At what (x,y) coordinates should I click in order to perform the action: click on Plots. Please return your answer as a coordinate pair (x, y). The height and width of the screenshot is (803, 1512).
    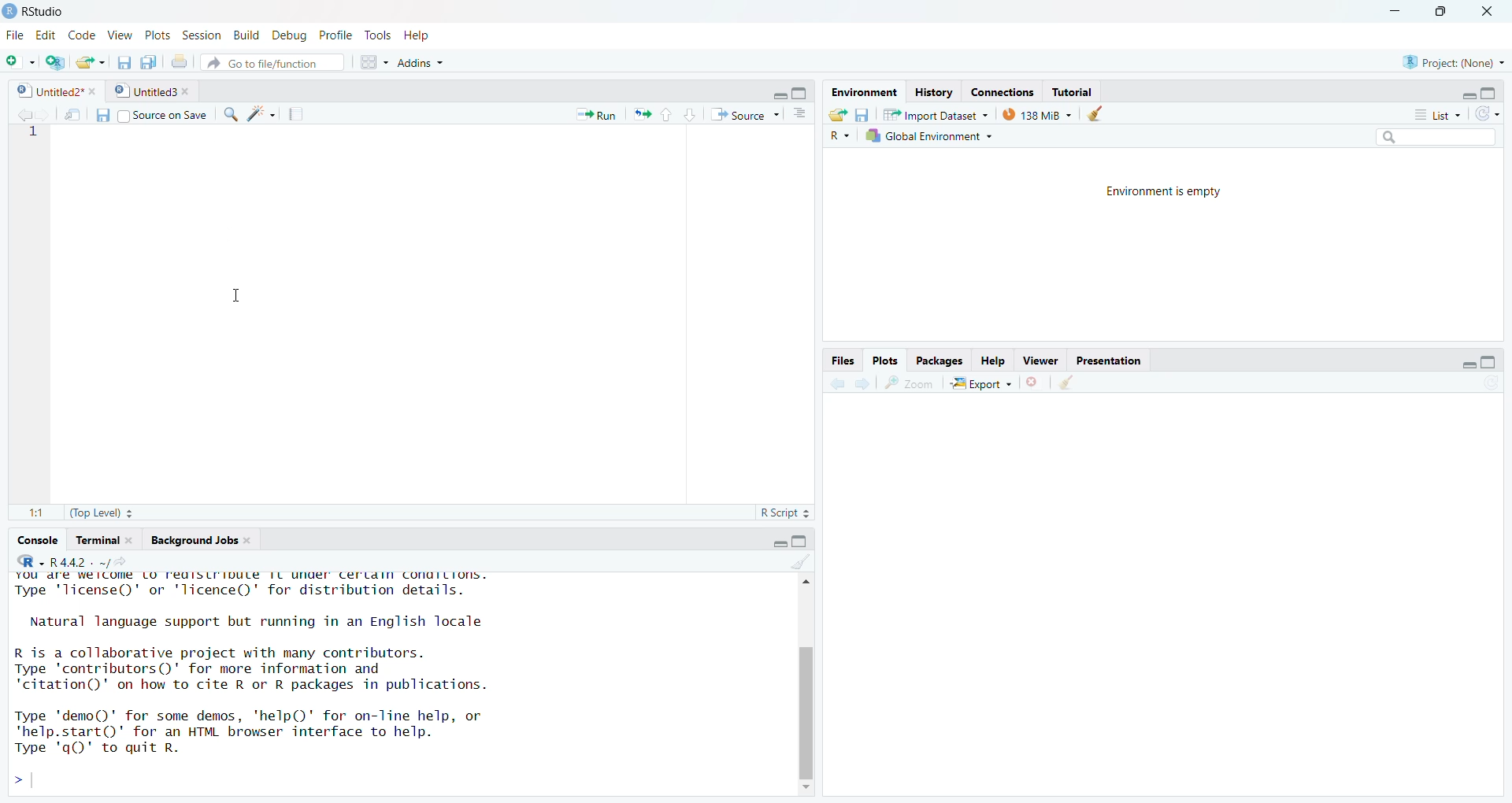
    Looking at the image, I should click on (877, 362).